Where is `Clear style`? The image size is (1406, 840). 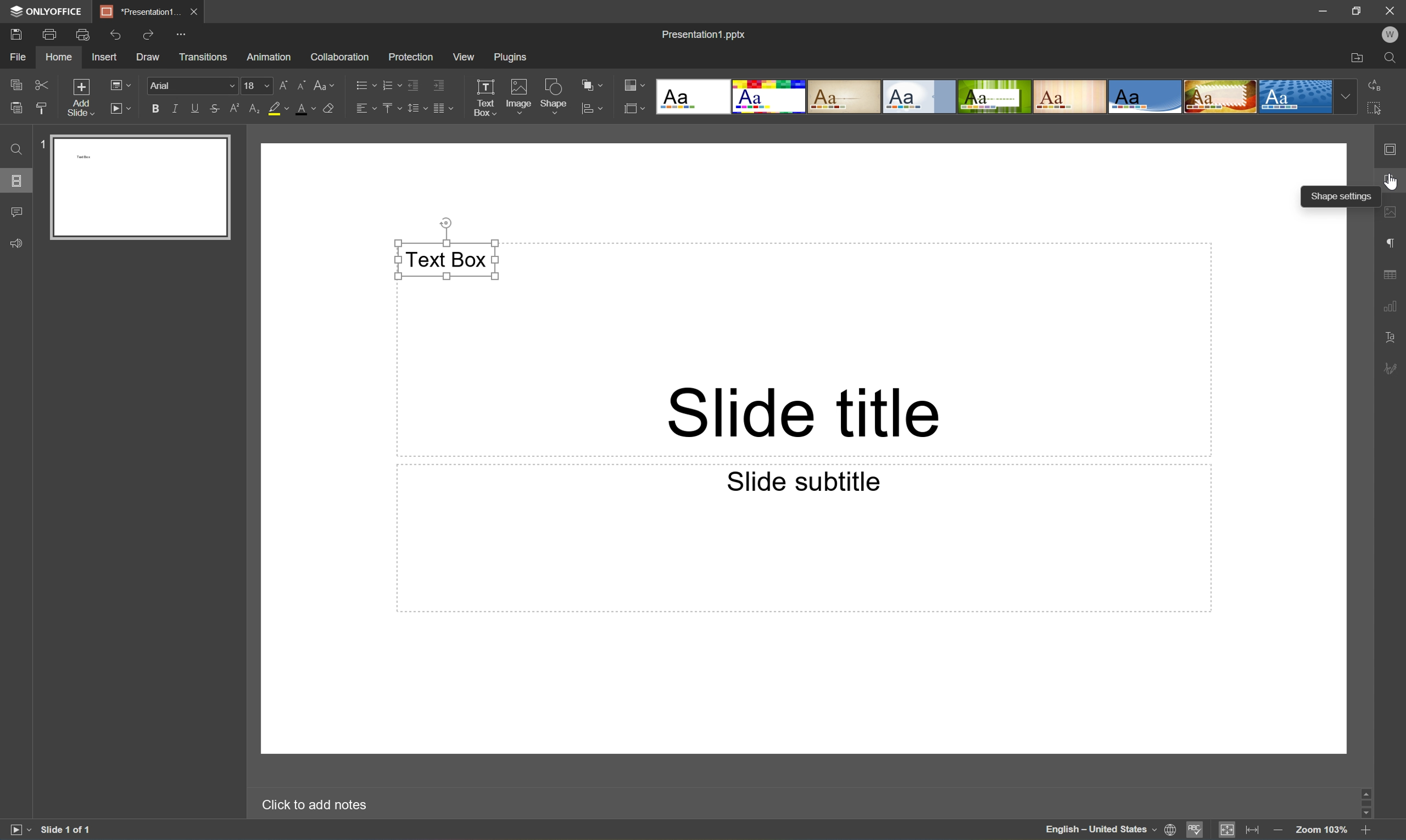
Clear style is located at coordinates (331, 108).